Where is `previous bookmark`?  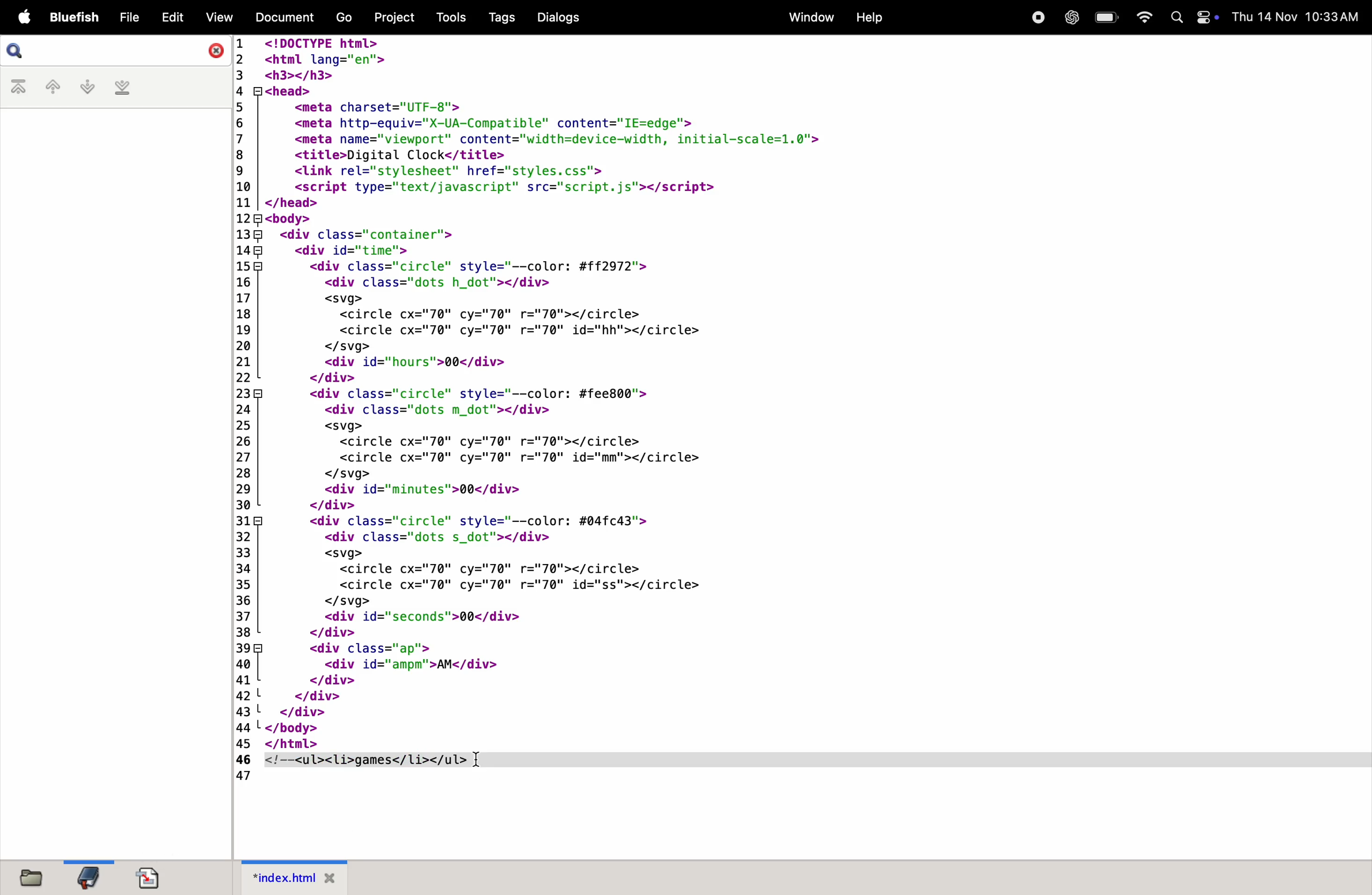
previous bookmark is located at coordinates (49, 87).